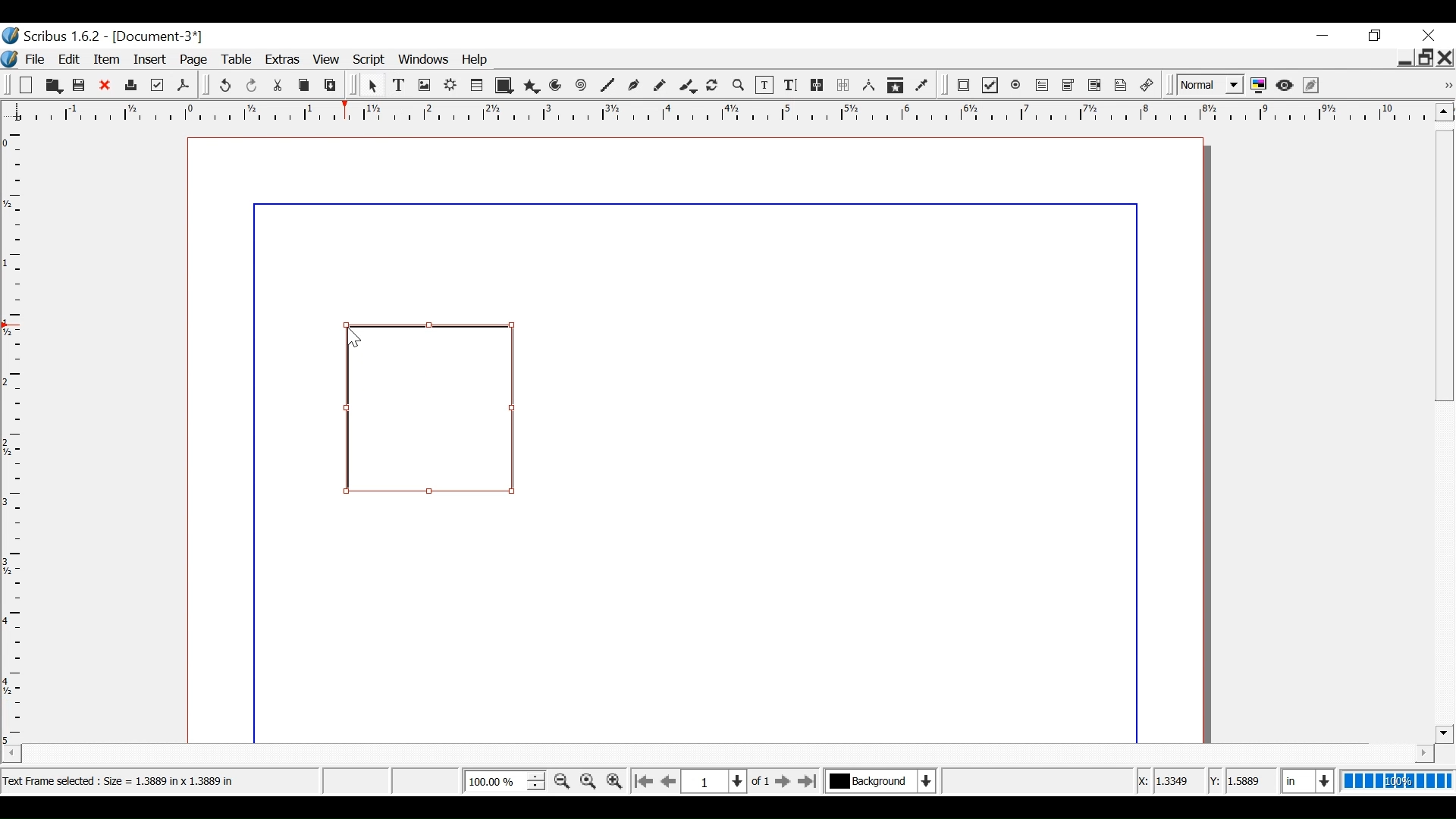 This screenshot has height=819, width=1456. What do you see at coordinates (645, 780) in the screenshot?
I see `Go to the first page` at bounding box center [645, 780].